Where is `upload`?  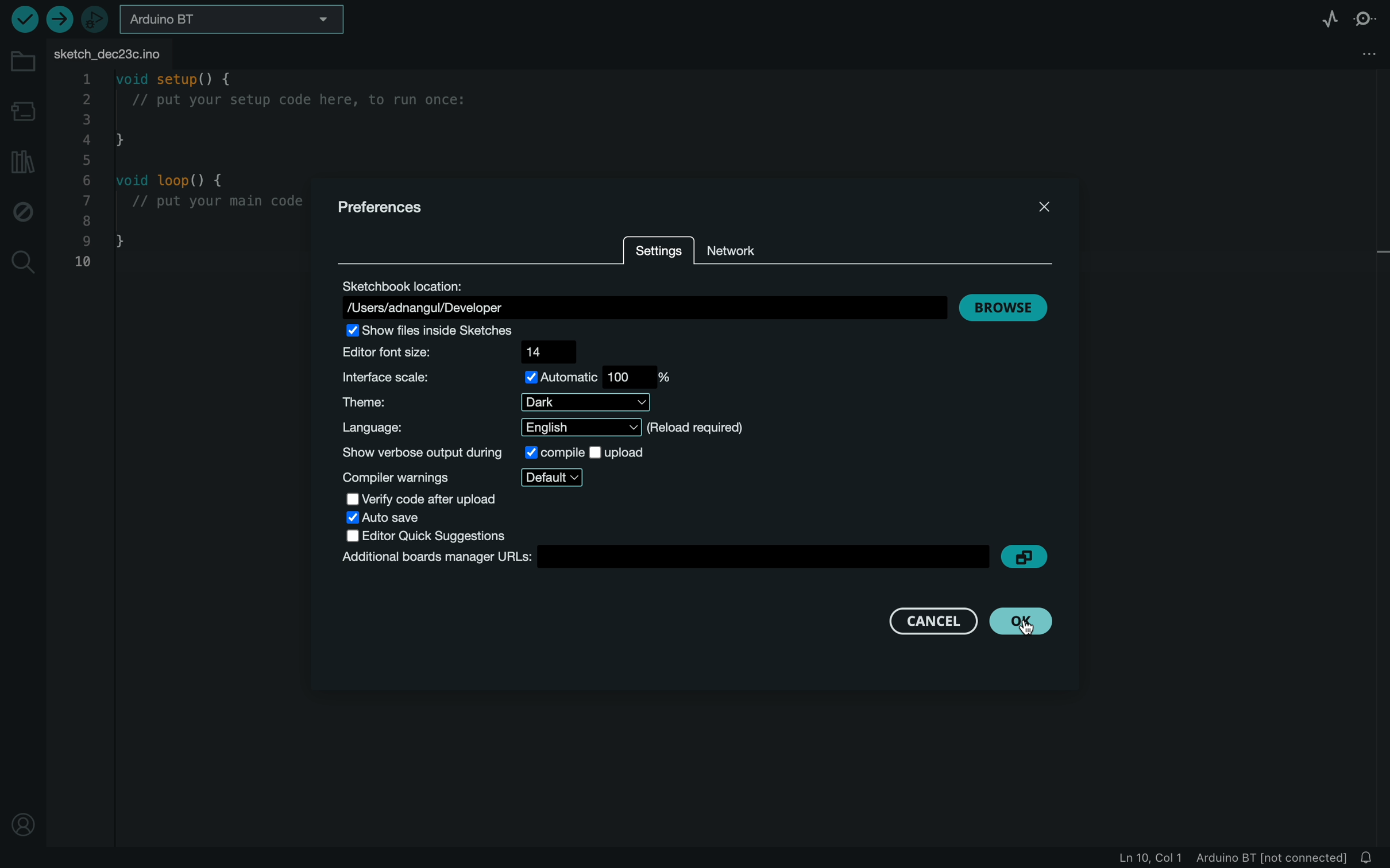 upload is located at coordinates (59, 21).